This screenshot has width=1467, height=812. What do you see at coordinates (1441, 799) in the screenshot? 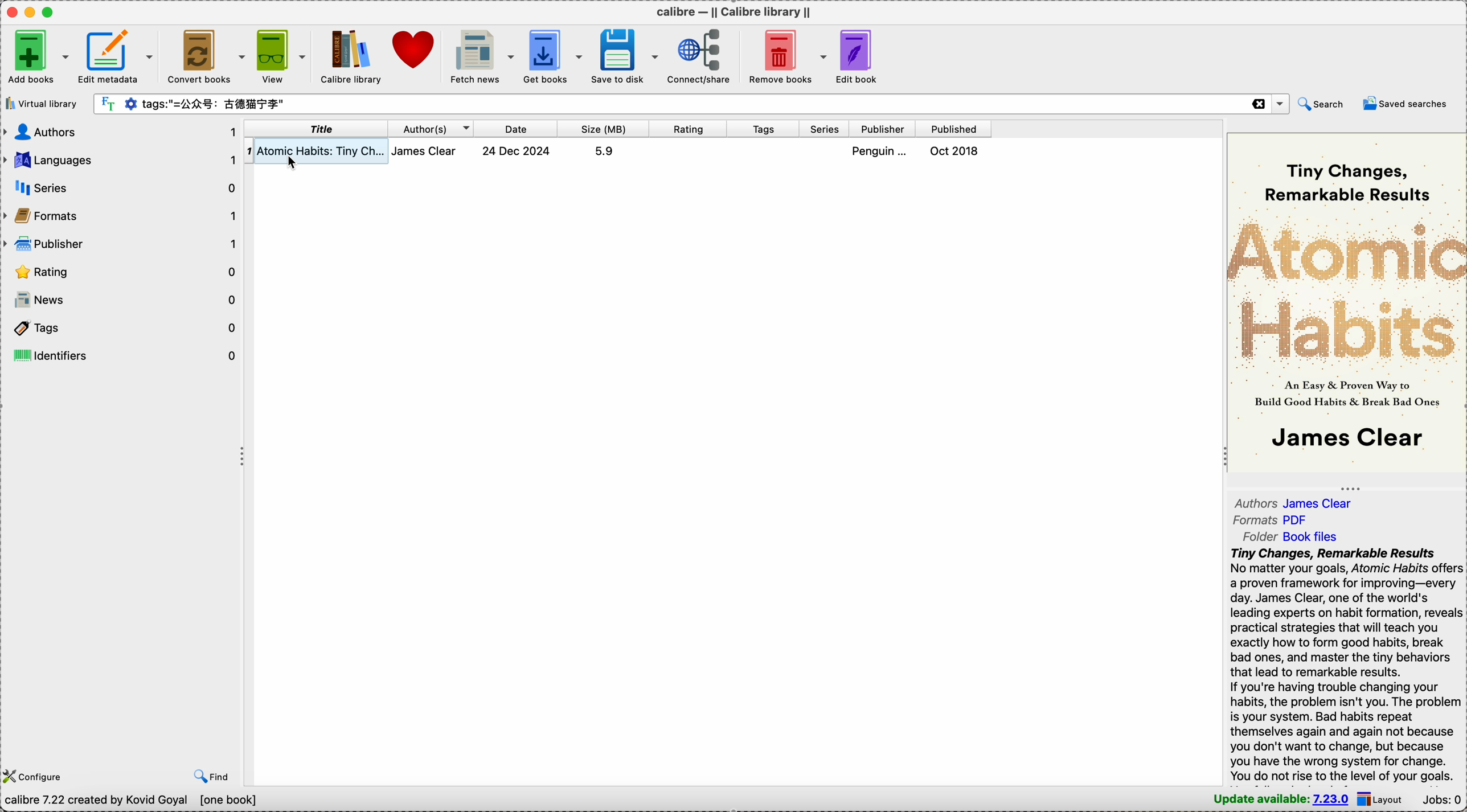
I see `Jobs: 0` at bounding box center [1441, 799].